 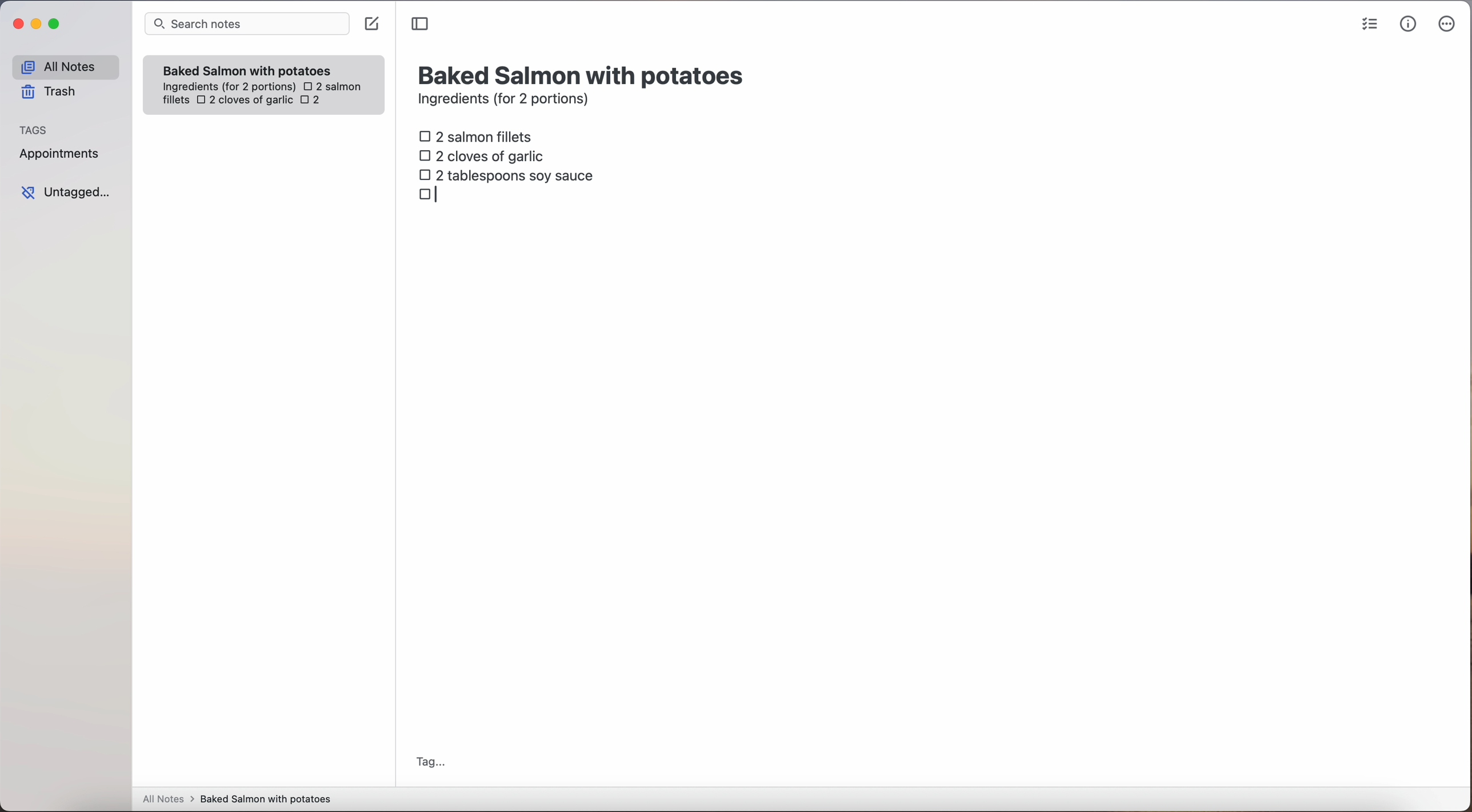 What do you see at coordinates (433, 195) in the screenshot?
I see `checkbox` at bounding box center [433, 195].